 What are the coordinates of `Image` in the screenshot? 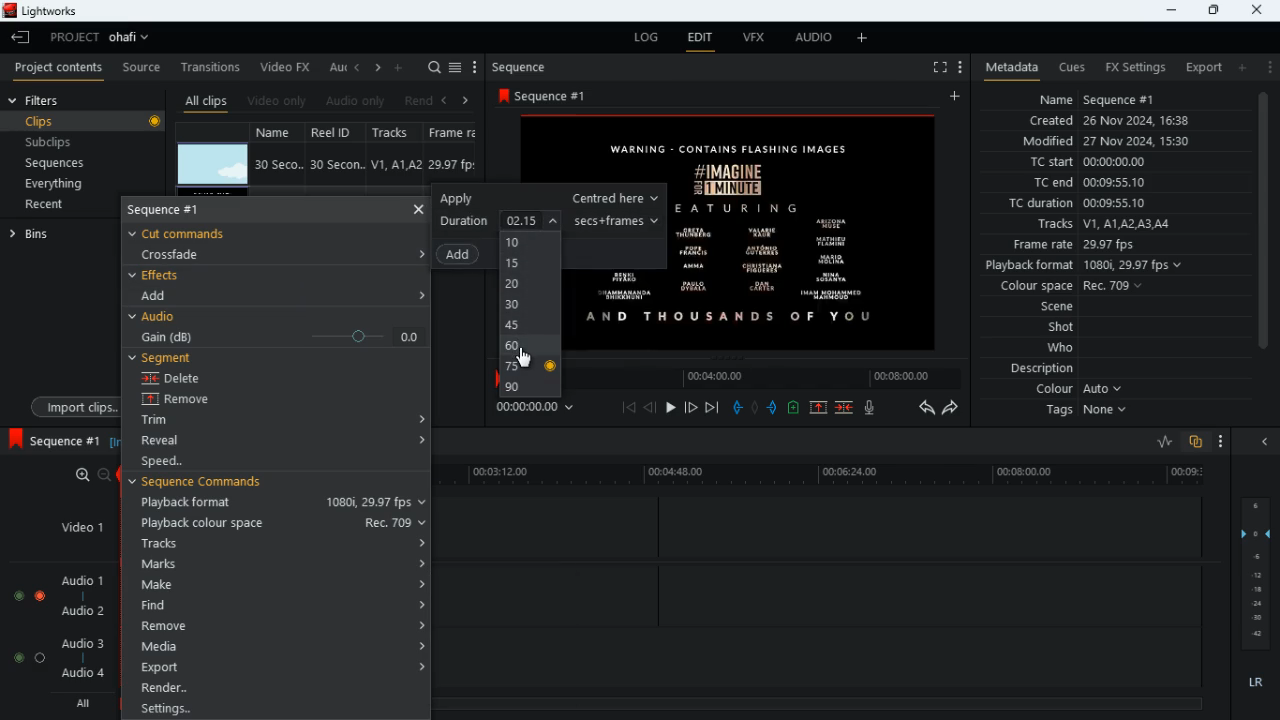 It's located at (812, 232).